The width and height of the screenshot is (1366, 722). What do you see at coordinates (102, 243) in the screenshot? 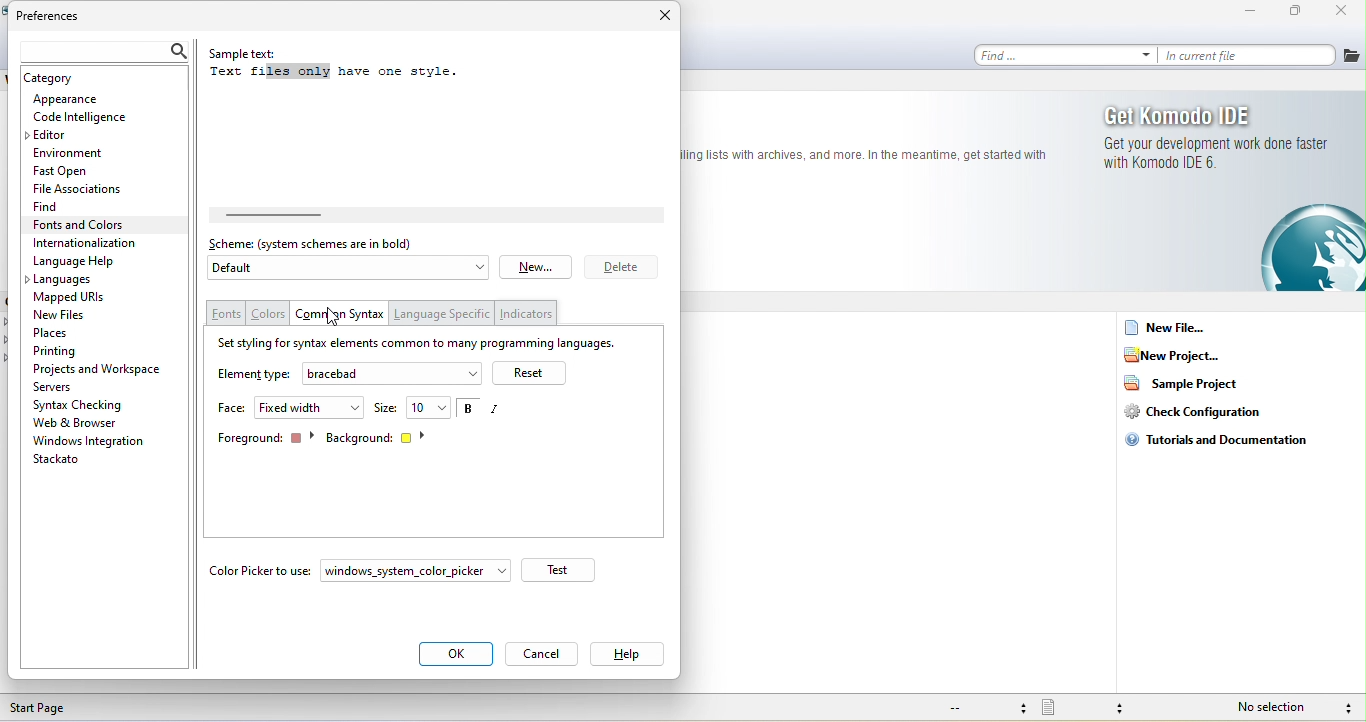
I see `internationalization` at bounding box center [102, 243].